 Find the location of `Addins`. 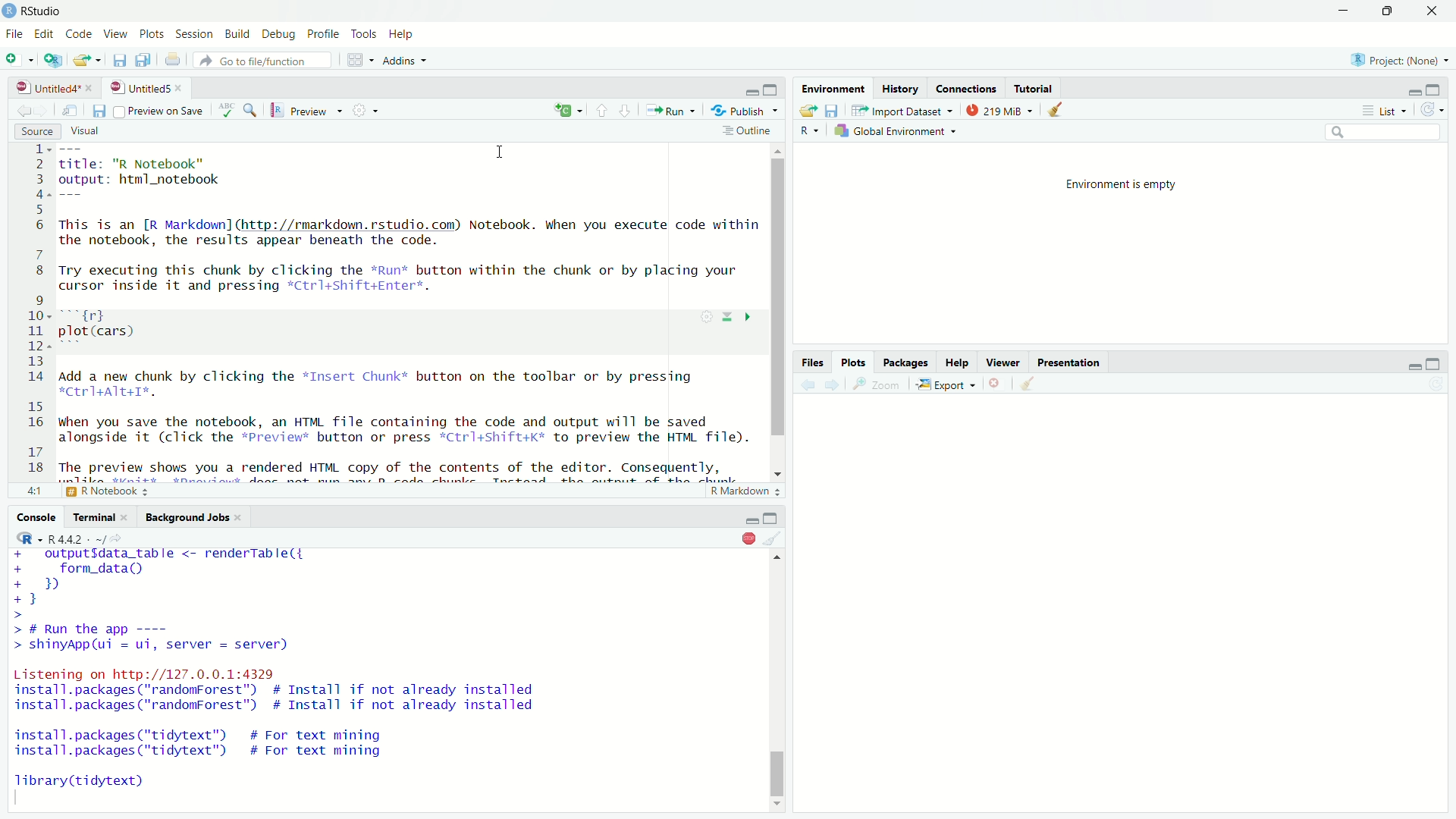

Addins is located at coordinates (405, 60).